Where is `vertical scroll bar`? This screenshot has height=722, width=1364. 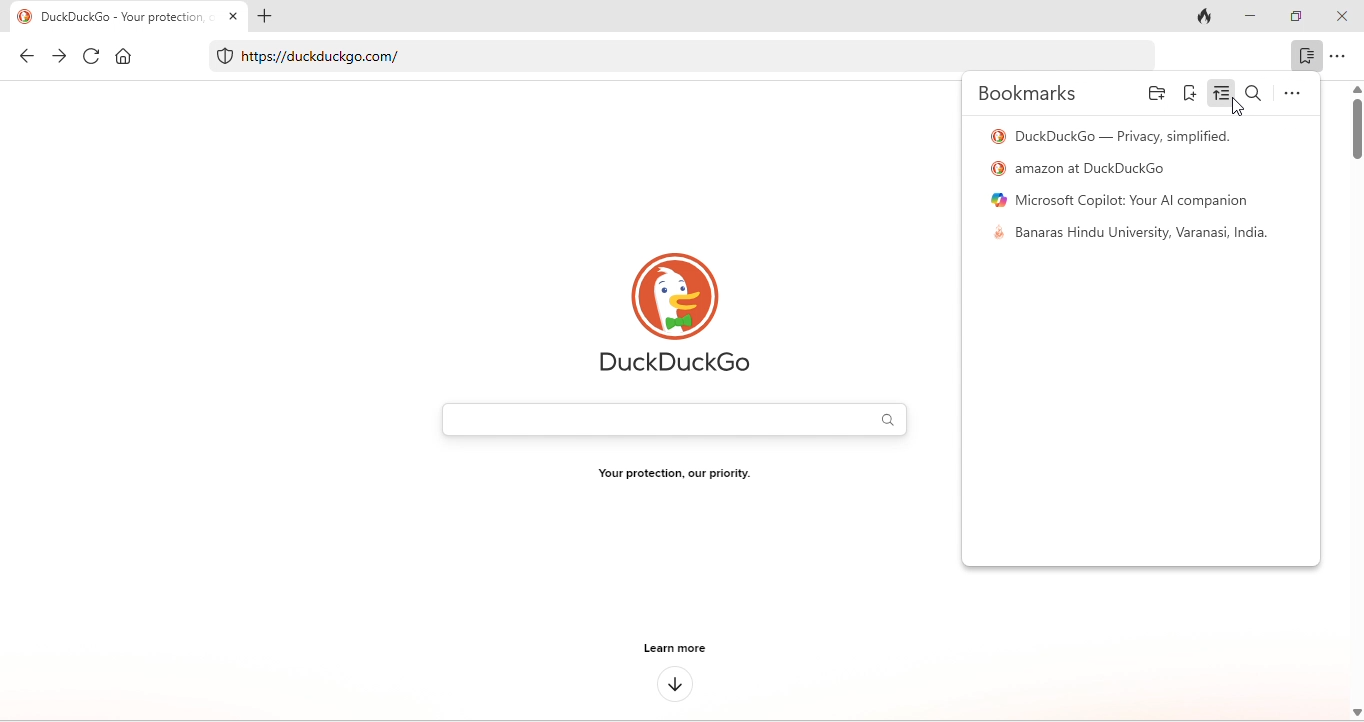
vertical scroll bar is located at coordinates (1354, 123).